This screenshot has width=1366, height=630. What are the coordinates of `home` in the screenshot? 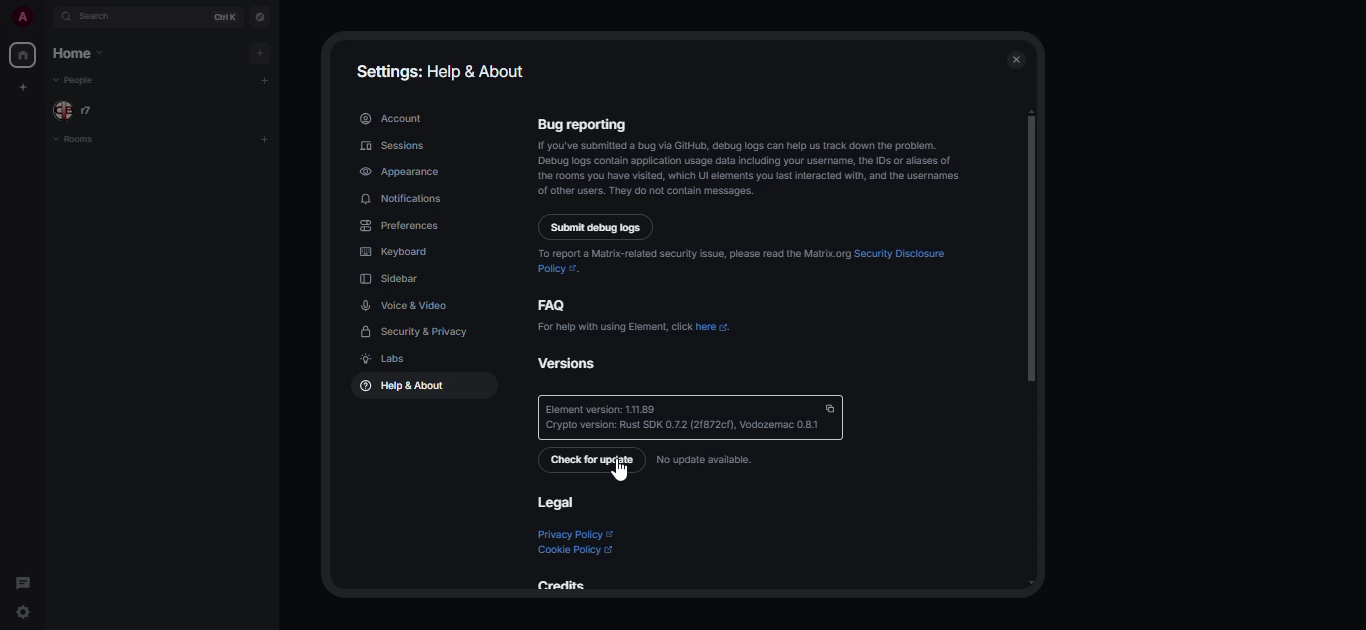 It's located at (84, 54).